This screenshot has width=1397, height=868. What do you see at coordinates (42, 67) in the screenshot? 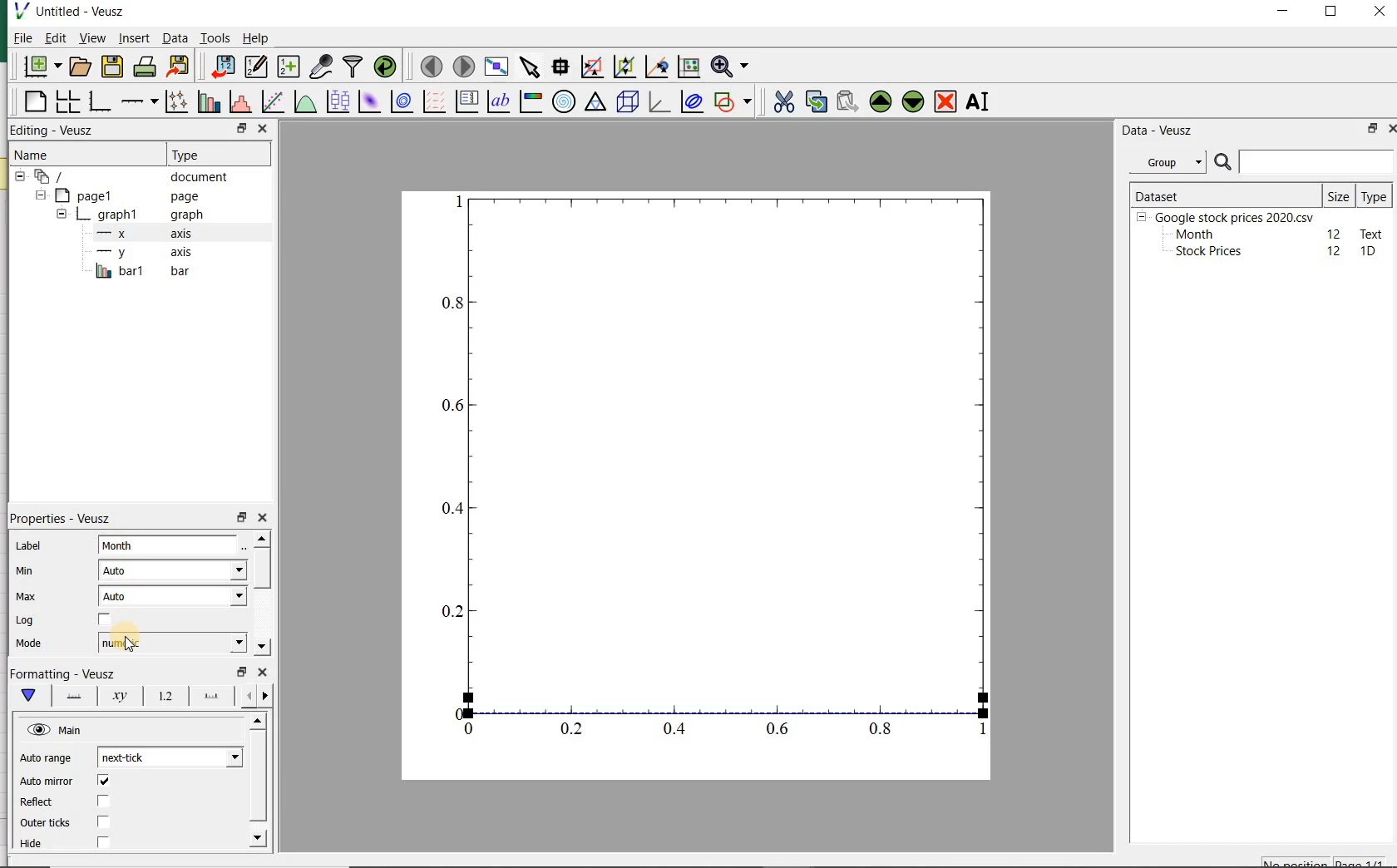
I see `new document` at bounding box center [42, 67].